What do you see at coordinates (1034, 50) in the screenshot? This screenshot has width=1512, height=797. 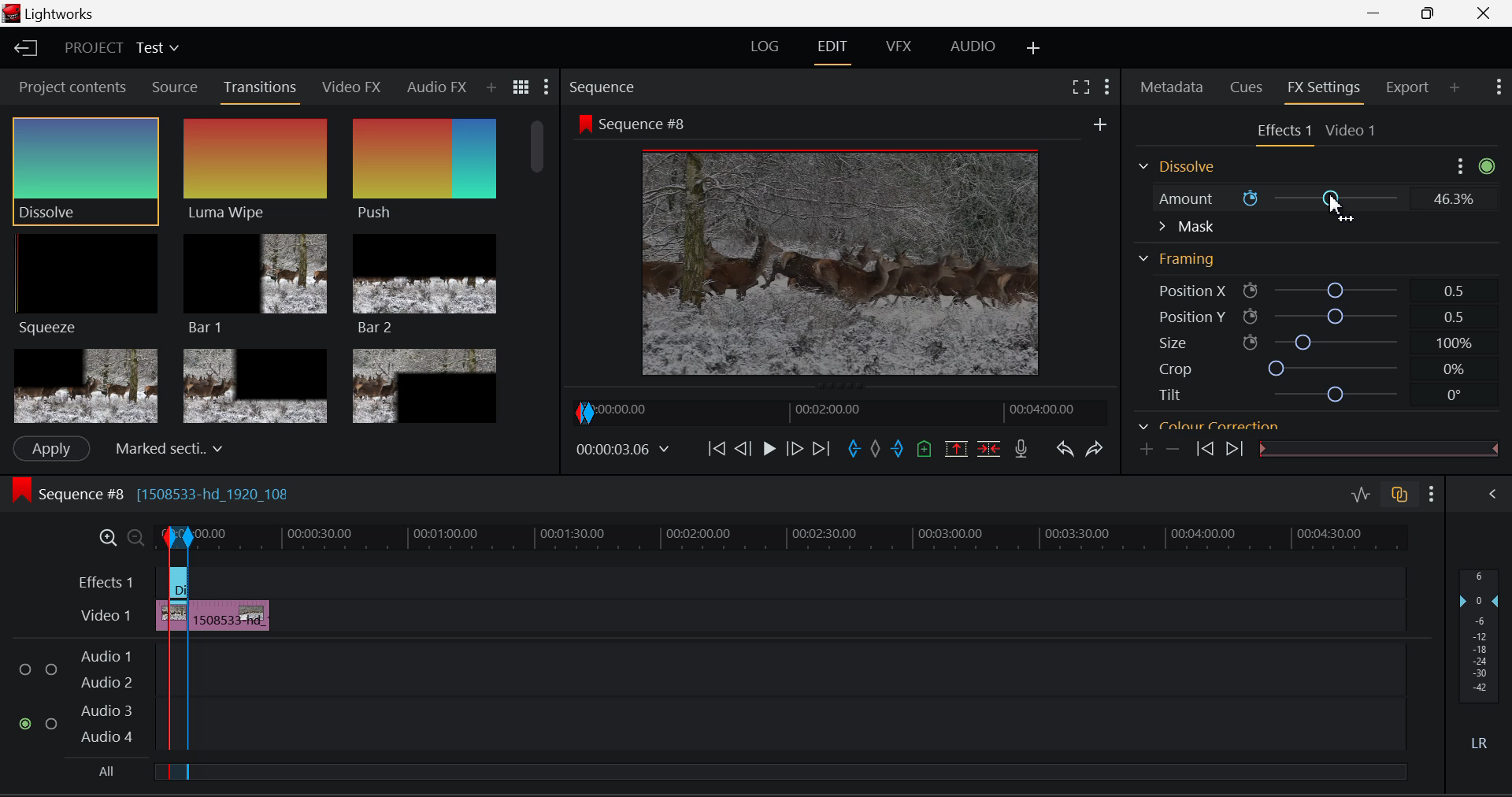 I see `Add Layout` at bounding box center [1034, 50].